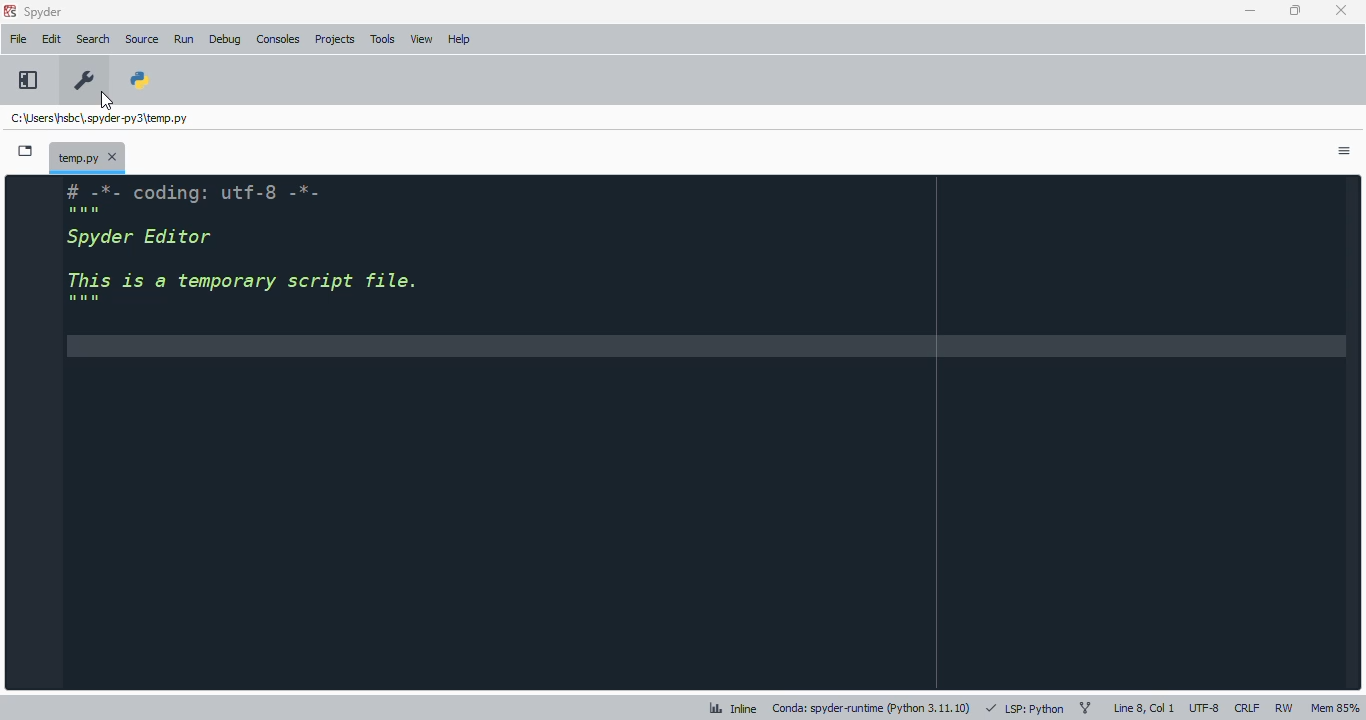 This screenshot has height=720, width=1366. Describe the element at coordinates (52, 39) in the screenshot. I see `edit` at that location.